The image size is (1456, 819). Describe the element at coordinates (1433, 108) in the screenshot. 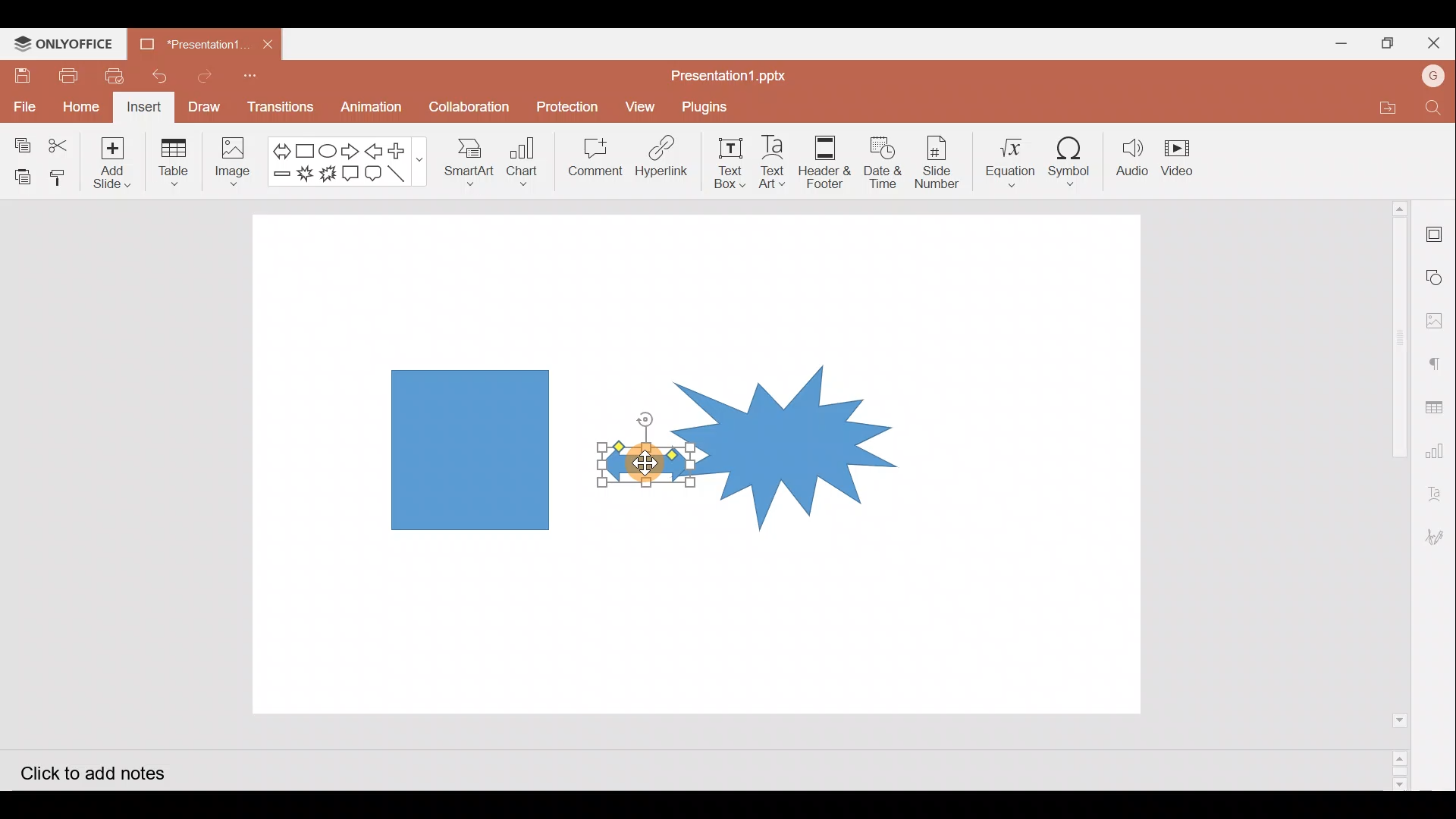

I see `Find` at that location.